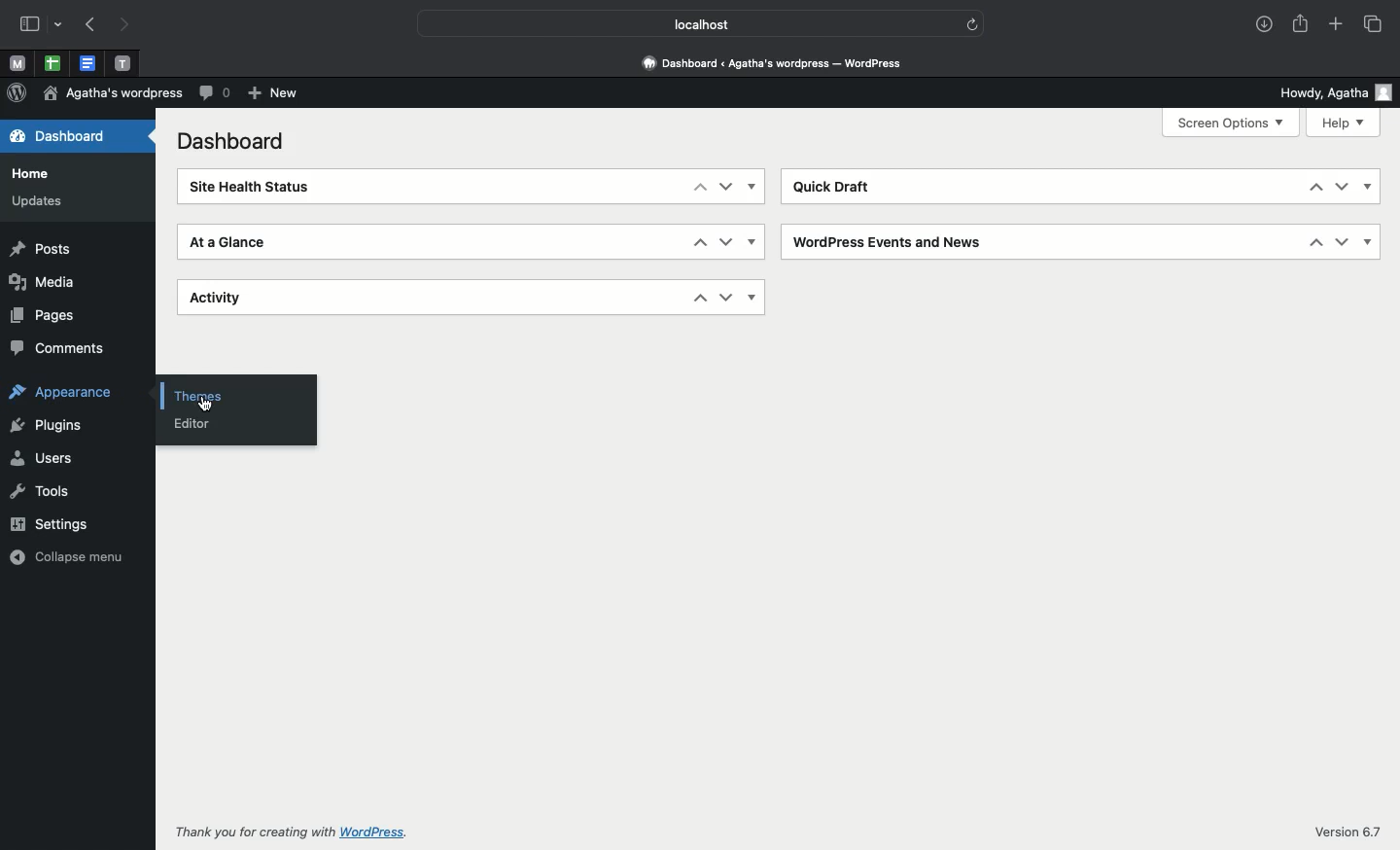 The image size is (1400, 850). Describe the element at coordinates (771, 60) in the screenshot. I see `Dashboard <Agatha's wordpress - wordpress` at that location.